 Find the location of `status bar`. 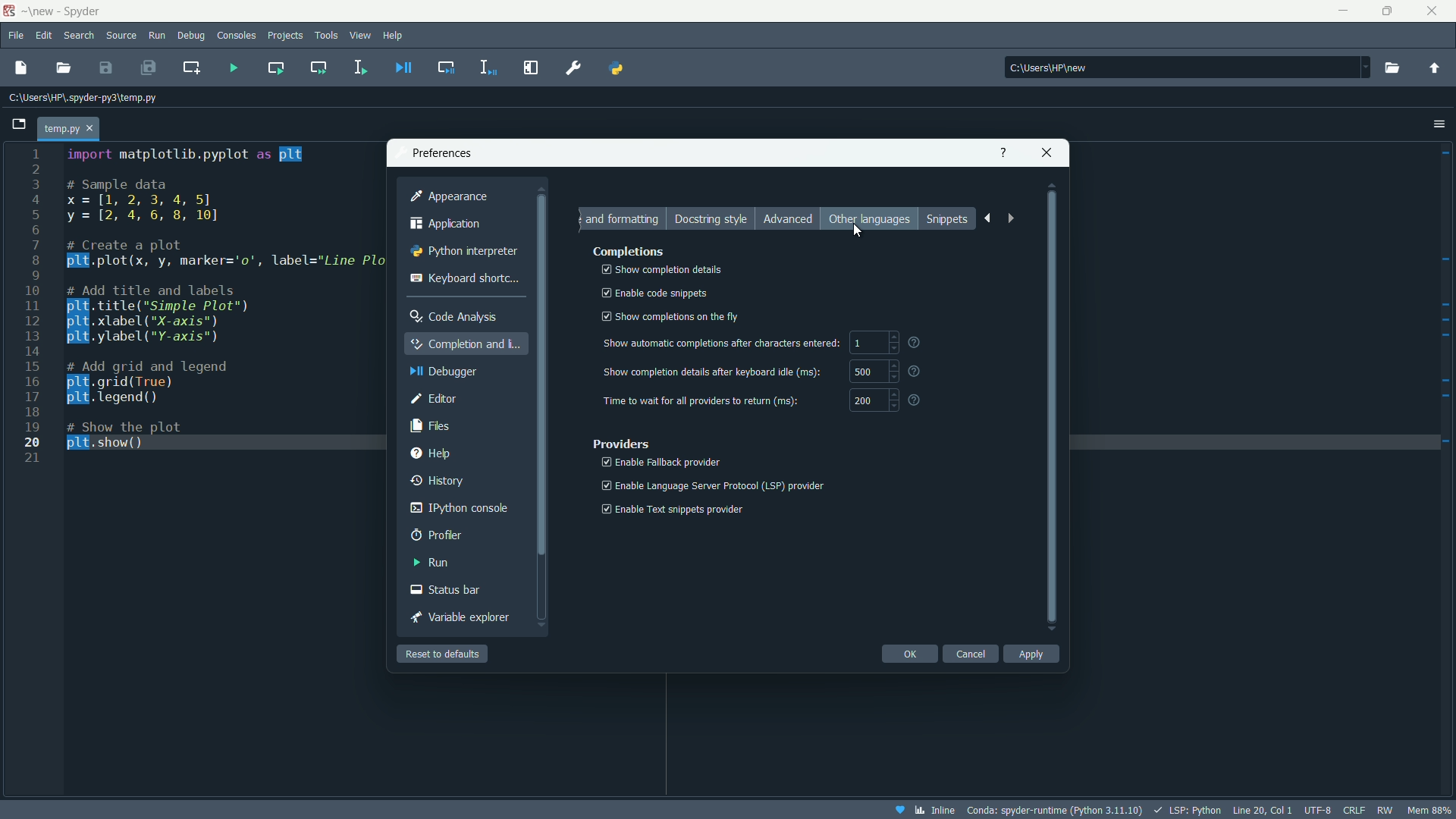

status bar is located at coordinates (447, 590).